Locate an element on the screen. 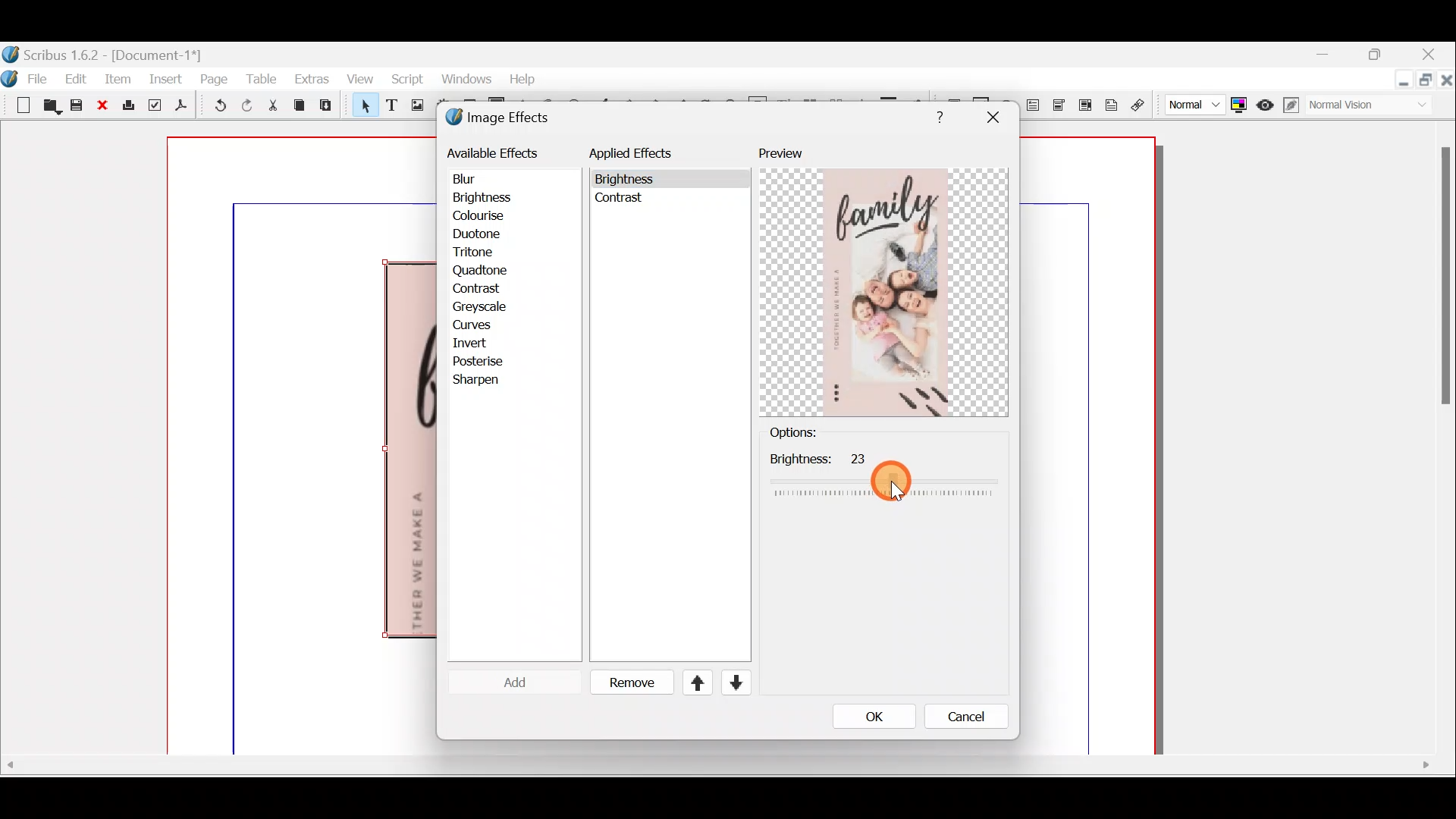 Image resolution: width=1456 pixels, height=819 pixels. Close is located at coordinates (104, 106).